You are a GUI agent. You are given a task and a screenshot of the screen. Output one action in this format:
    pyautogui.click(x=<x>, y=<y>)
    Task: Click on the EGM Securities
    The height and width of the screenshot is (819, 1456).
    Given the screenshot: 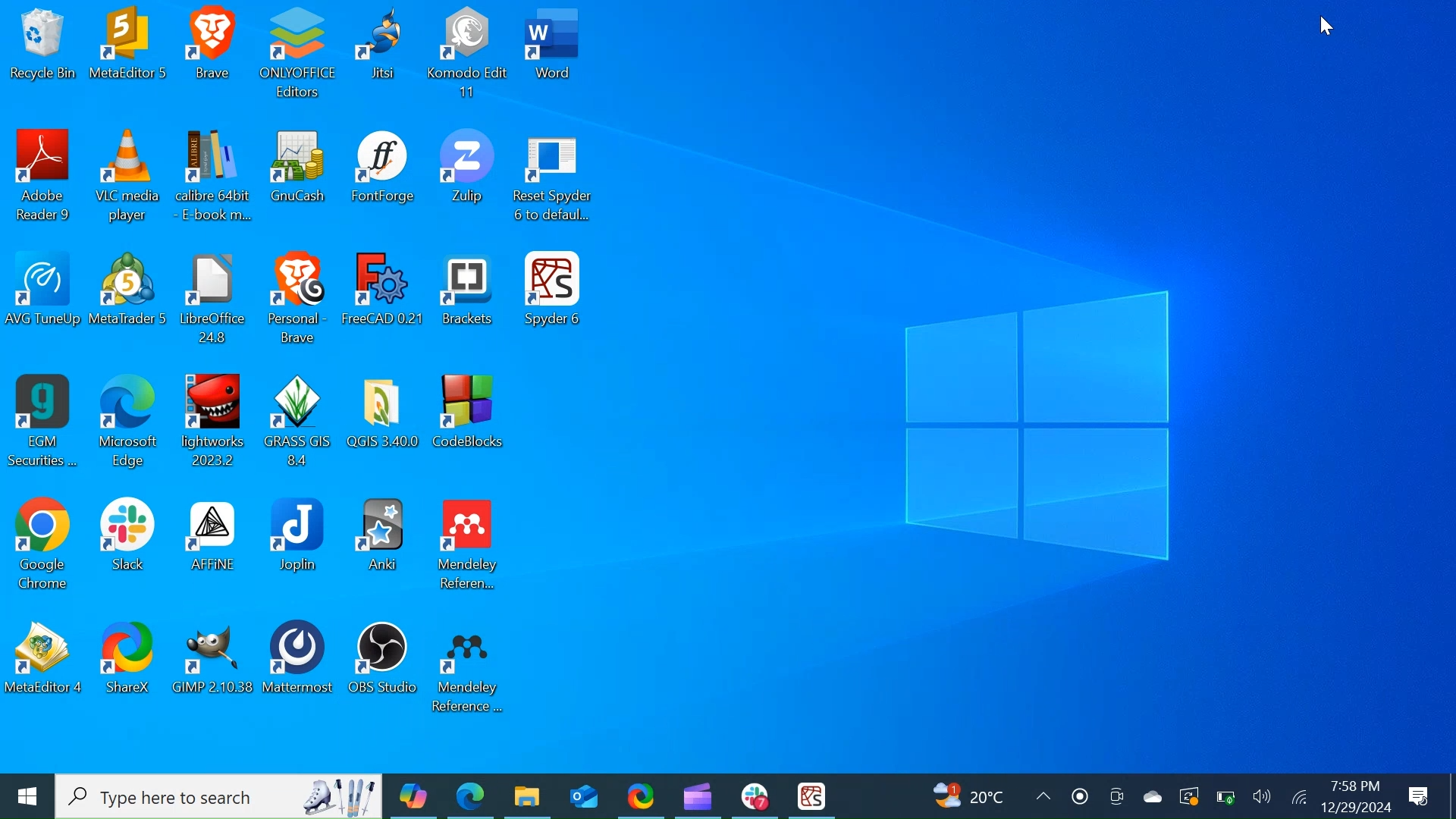 What is the action you would take?
    pyautogui.click(x=42, y=422)
    